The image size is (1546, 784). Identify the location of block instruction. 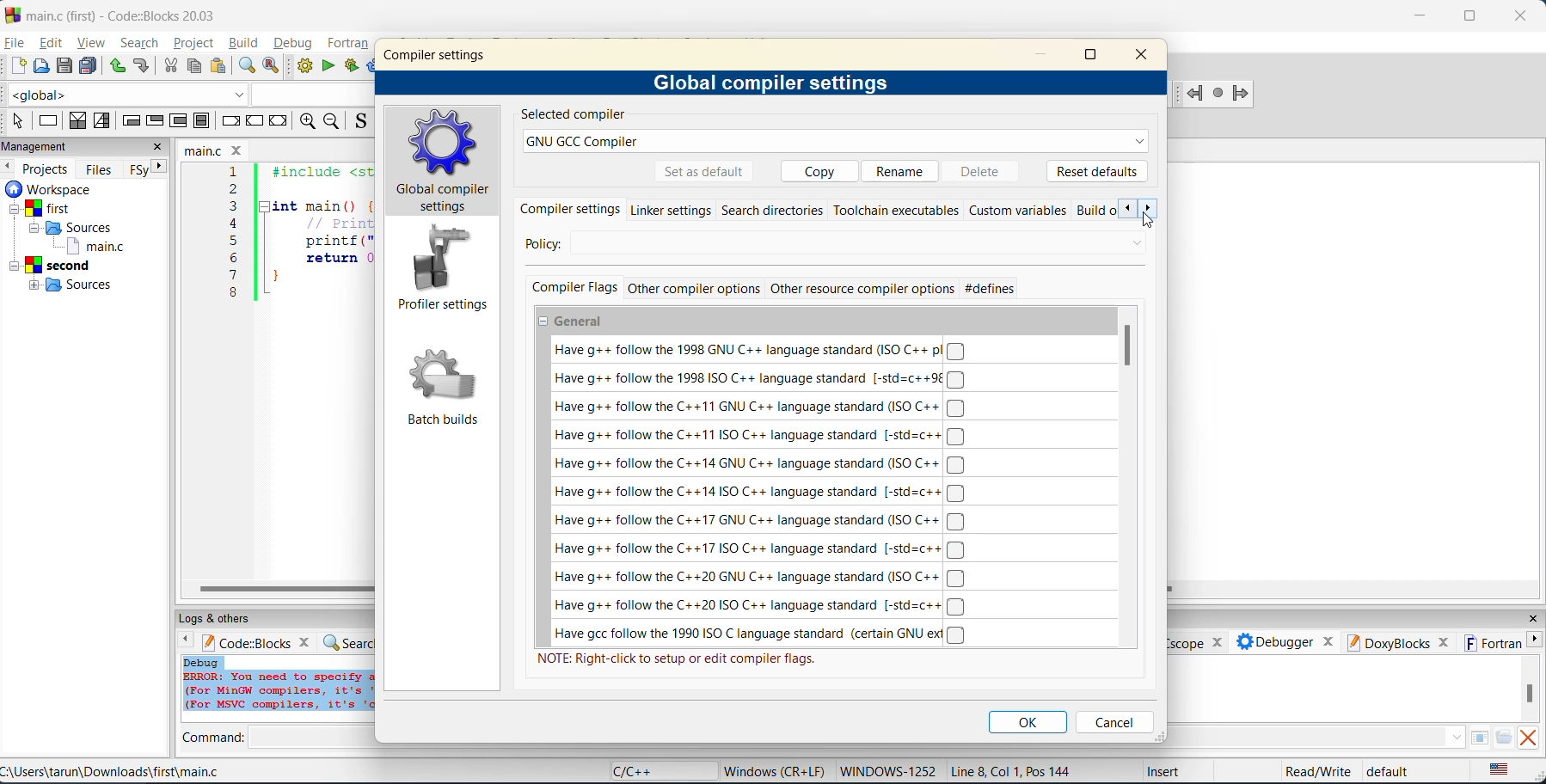
(203, 121).